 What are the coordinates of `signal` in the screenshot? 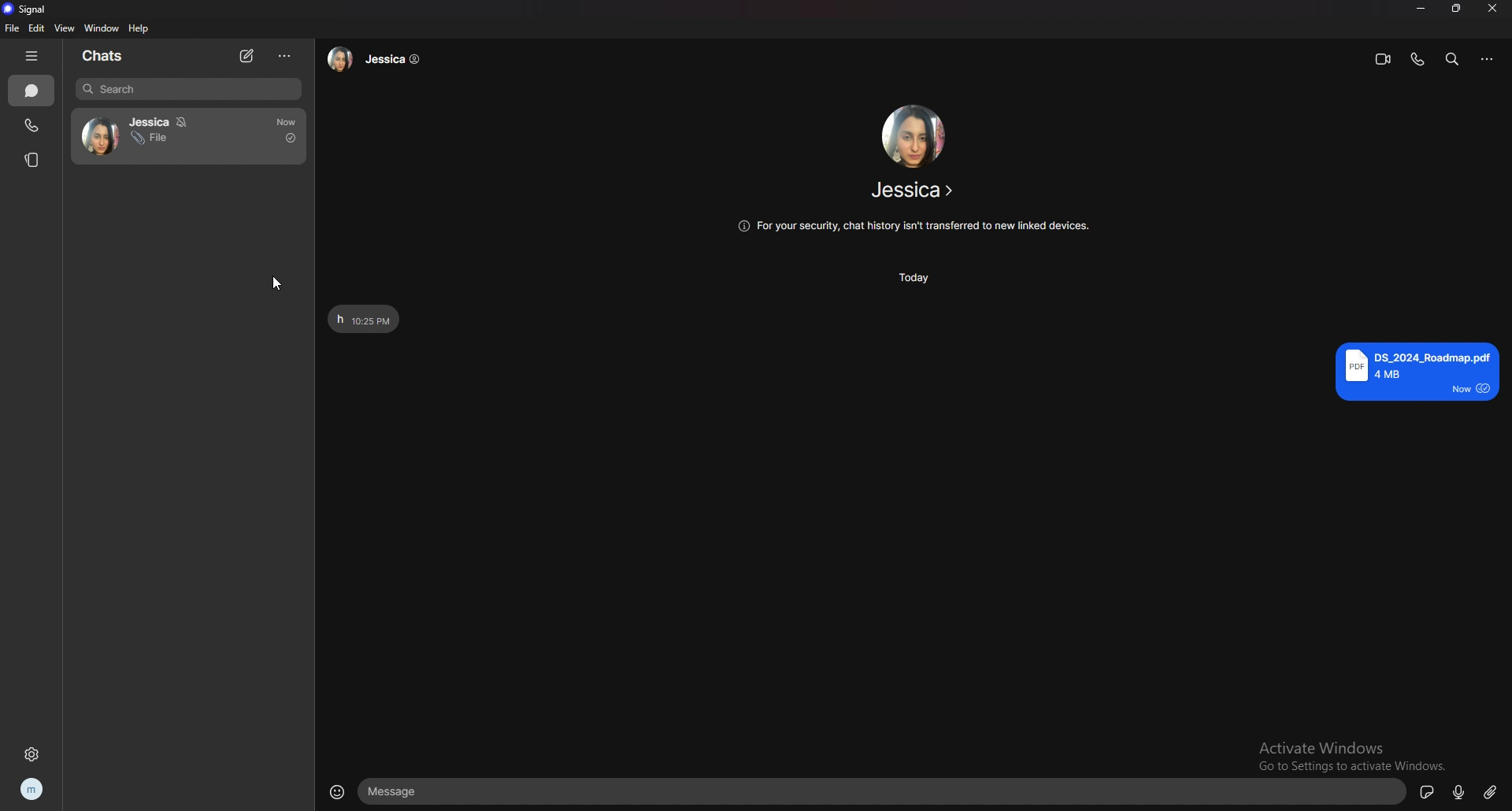 It's located at (24, 9).